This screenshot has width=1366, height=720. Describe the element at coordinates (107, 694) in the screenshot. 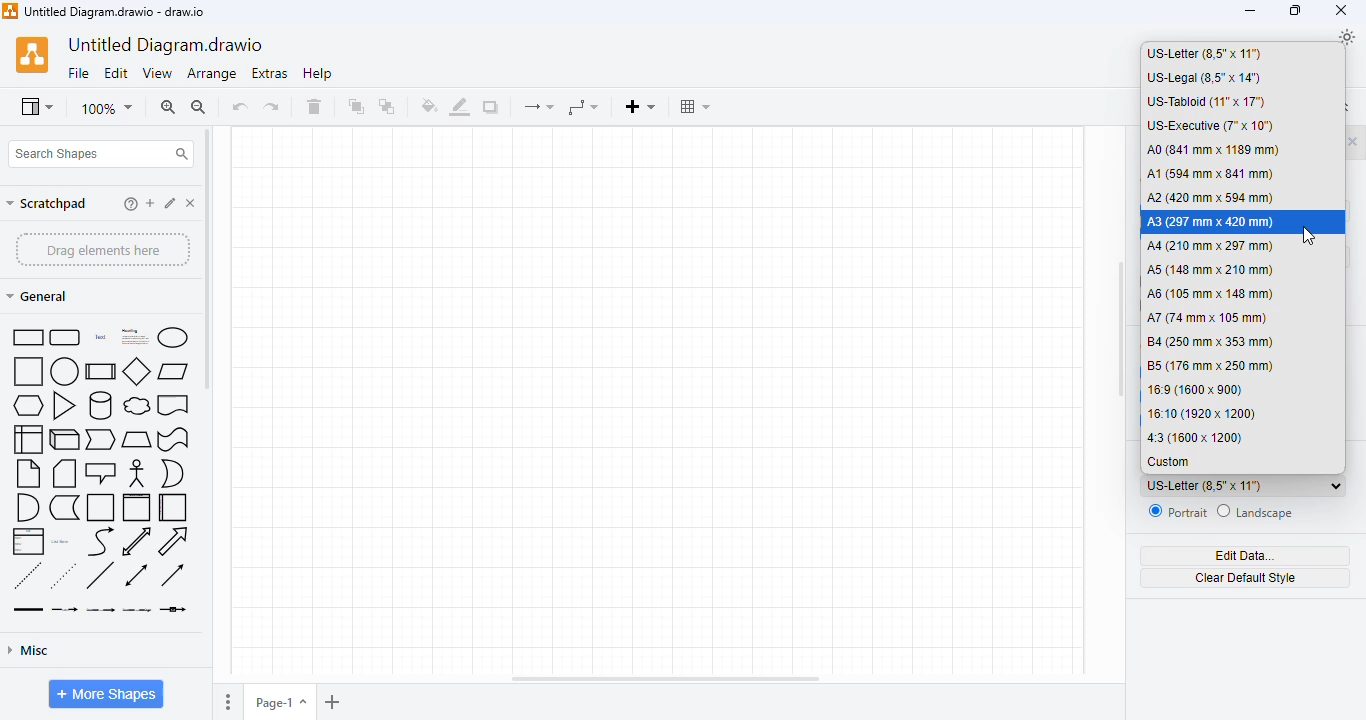

I see `more shapes` at that location.